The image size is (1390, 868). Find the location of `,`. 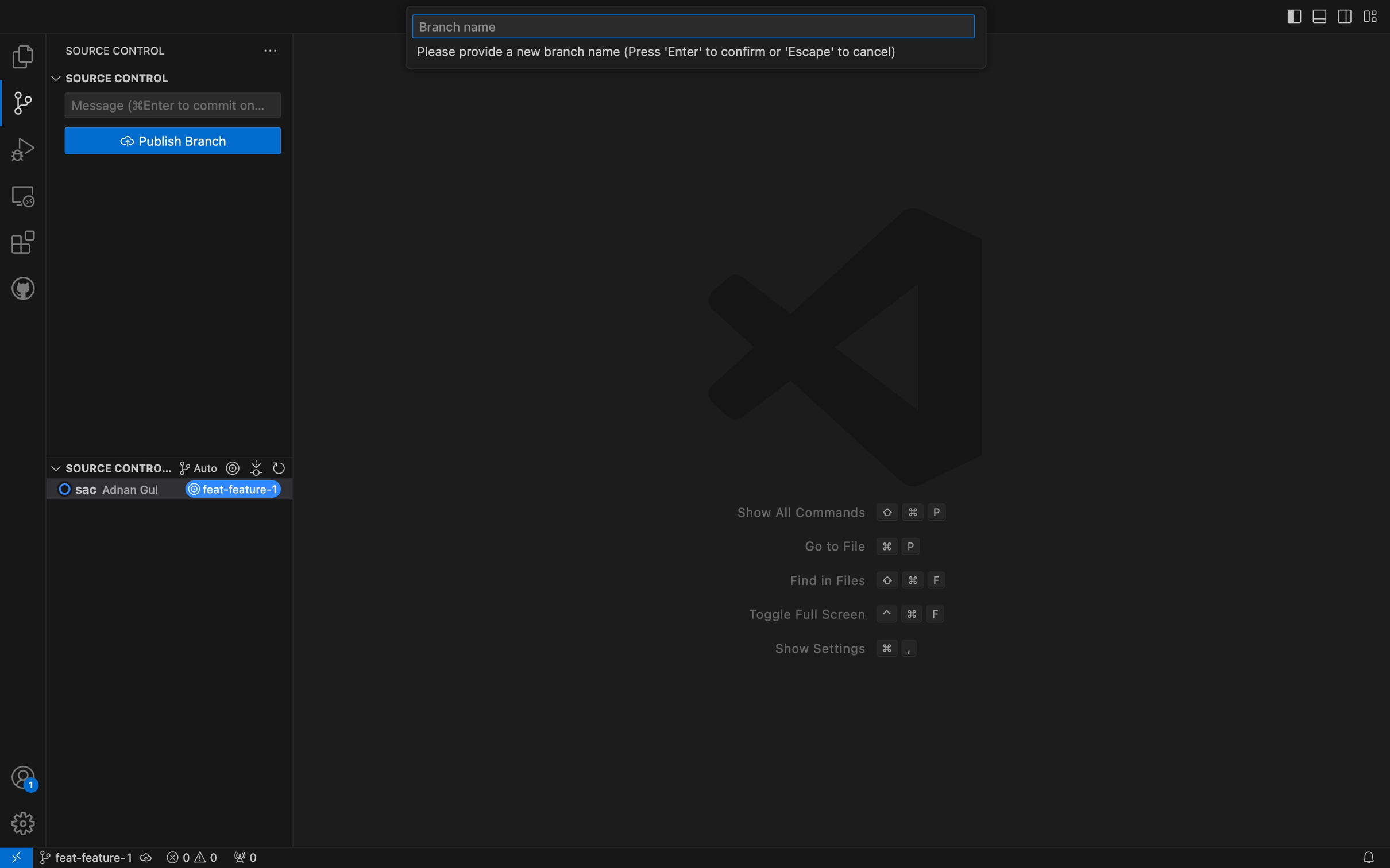

, is located at coordinates (912, 648).